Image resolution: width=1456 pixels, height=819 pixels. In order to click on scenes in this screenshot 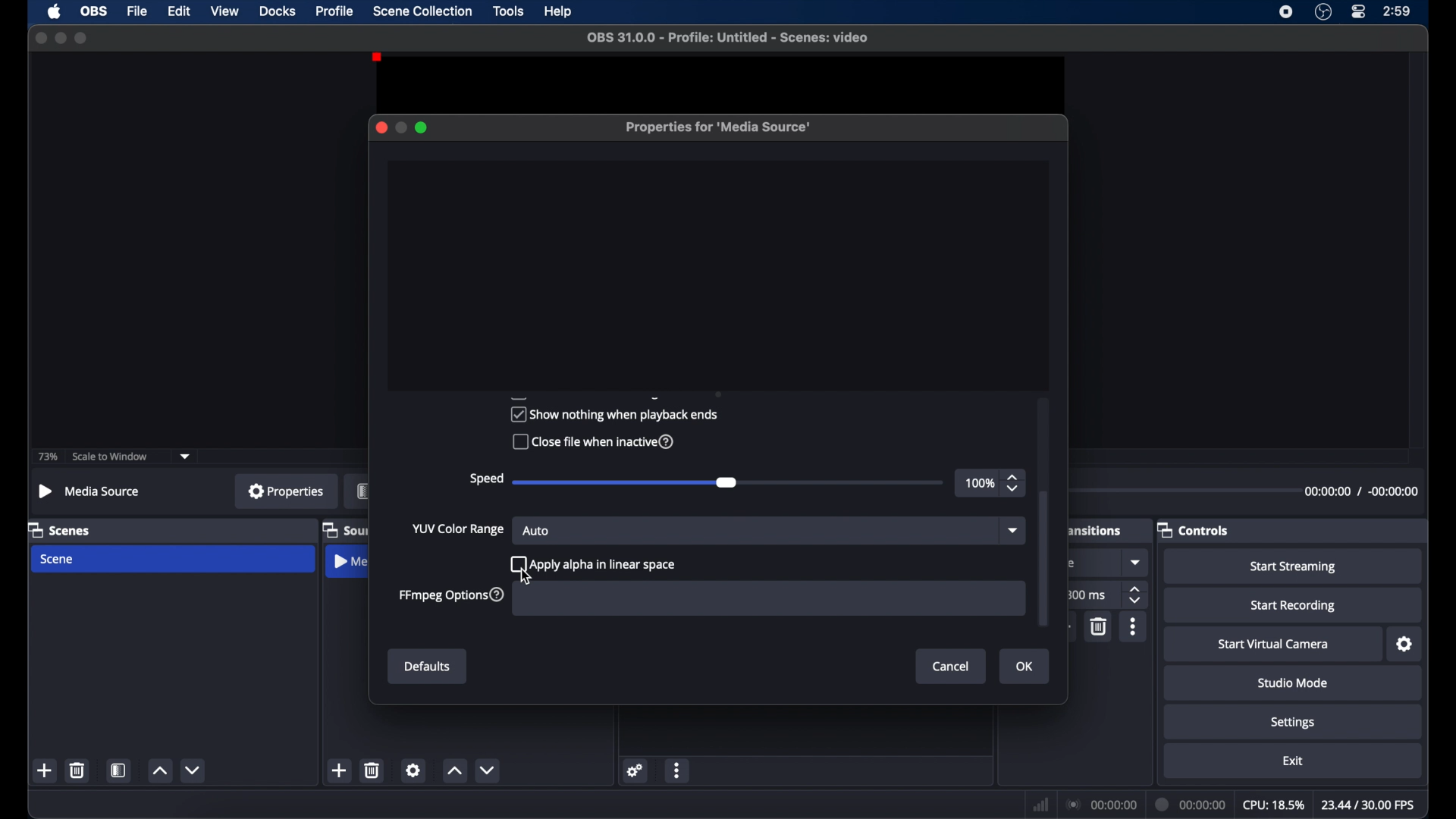, I will do `click(60, 529)`.